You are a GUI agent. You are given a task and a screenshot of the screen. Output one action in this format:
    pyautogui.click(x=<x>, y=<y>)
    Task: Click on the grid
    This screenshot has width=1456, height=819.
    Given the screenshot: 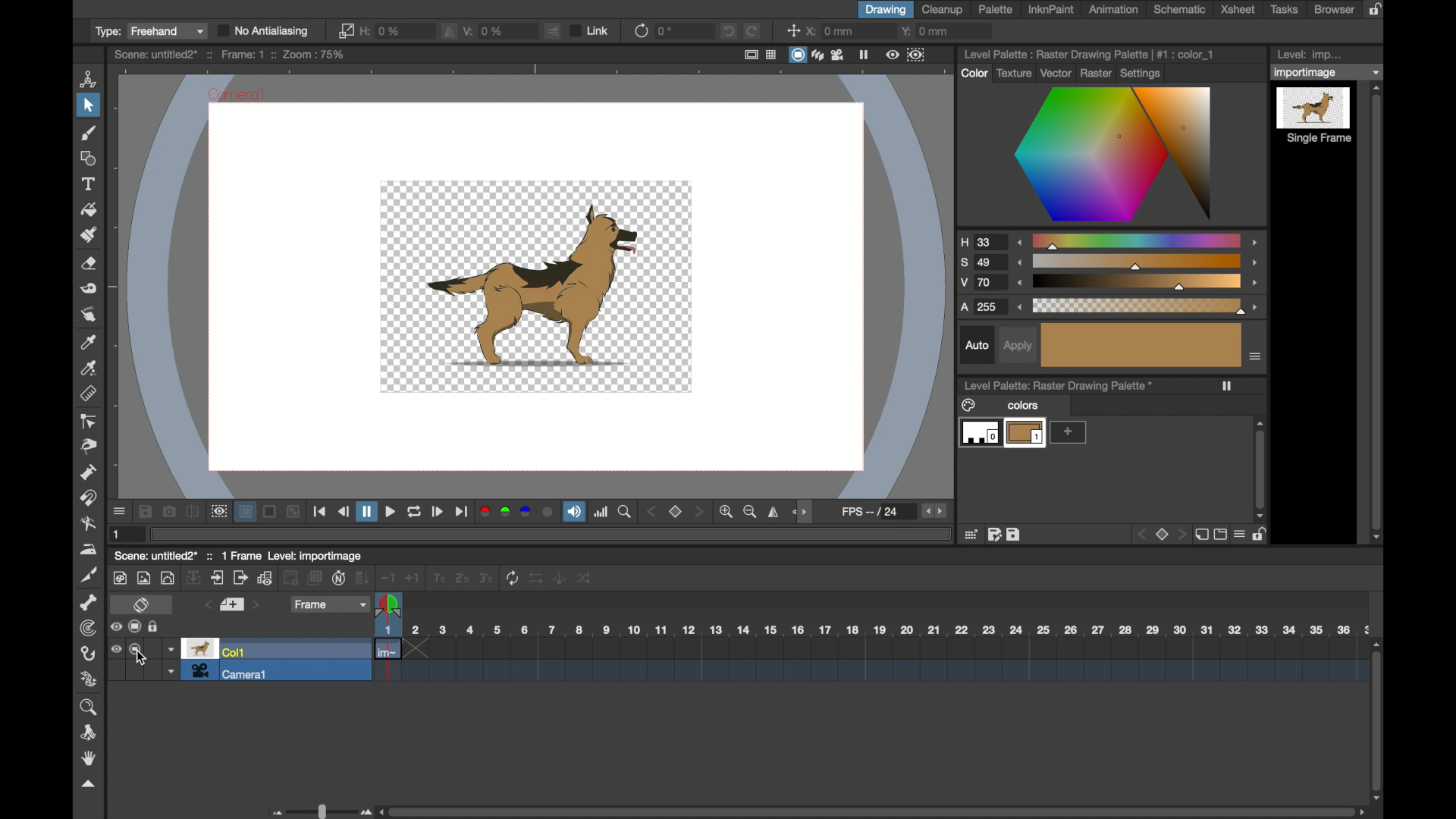 What is the action you would take?
    pyautogui.click(x=971, y=534)
    